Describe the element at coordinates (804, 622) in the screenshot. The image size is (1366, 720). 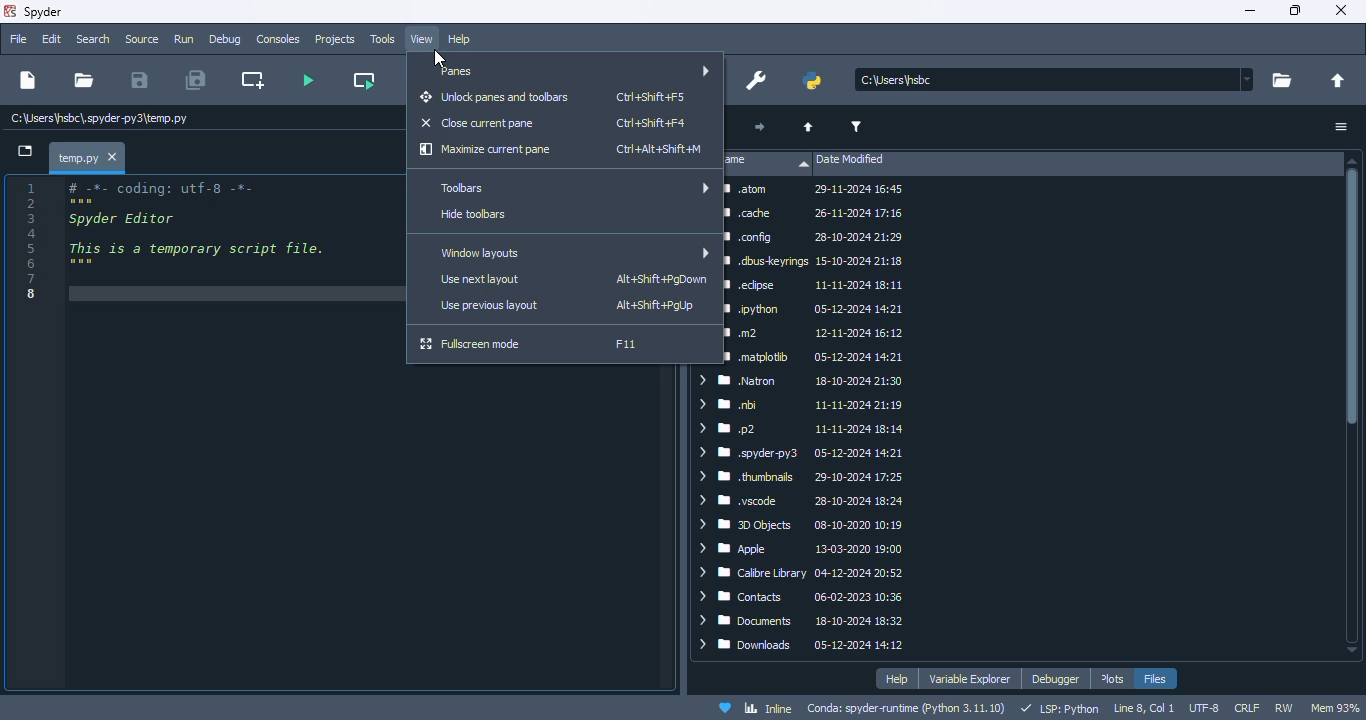
I see `Documents` at that location.